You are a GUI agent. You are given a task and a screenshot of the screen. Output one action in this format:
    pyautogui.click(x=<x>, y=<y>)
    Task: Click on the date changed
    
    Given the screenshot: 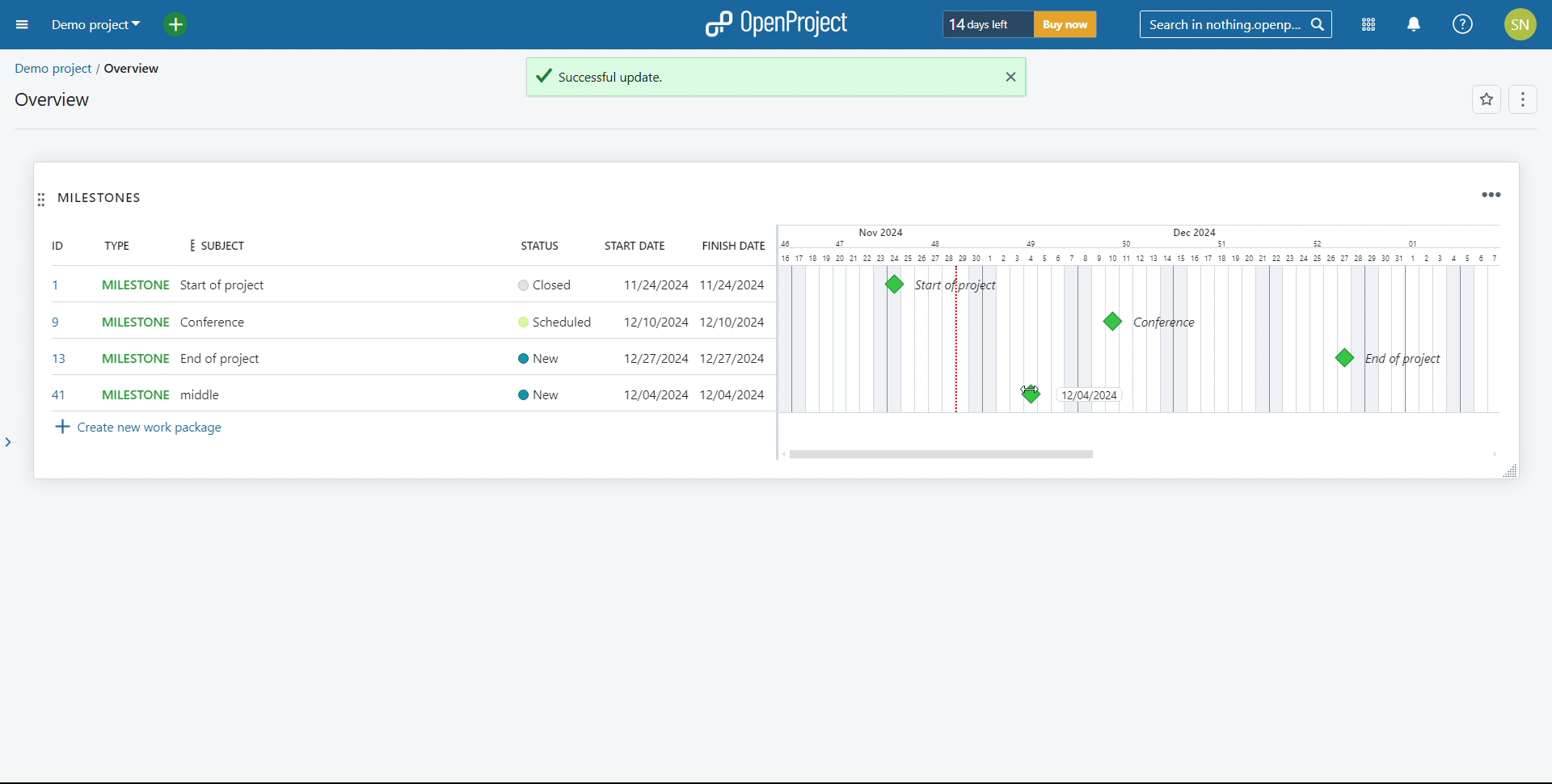 What is the action you would take?
    pyautogui.click(x=1089, y=394)
    